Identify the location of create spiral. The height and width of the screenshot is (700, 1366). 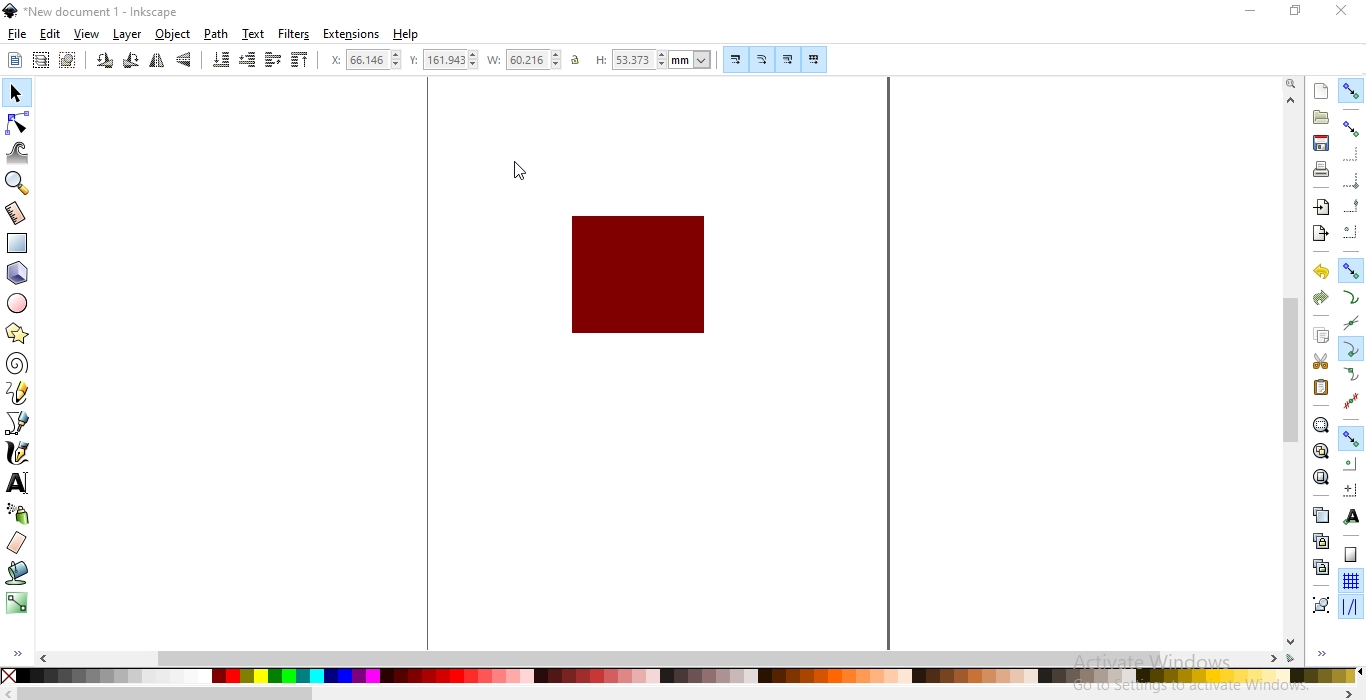
(16, 364).